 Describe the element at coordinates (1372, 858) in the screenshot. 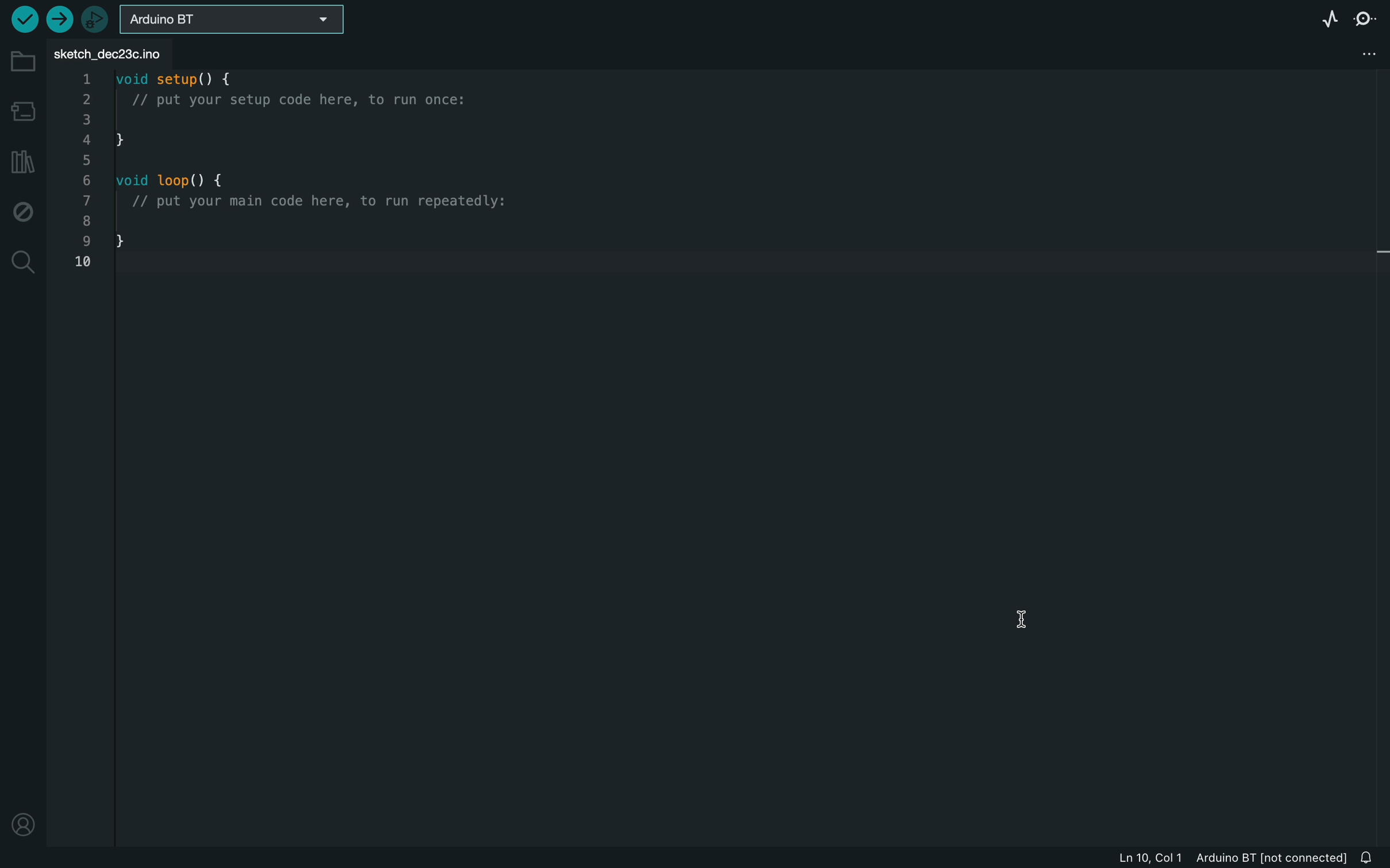

I see `notification` at that location.